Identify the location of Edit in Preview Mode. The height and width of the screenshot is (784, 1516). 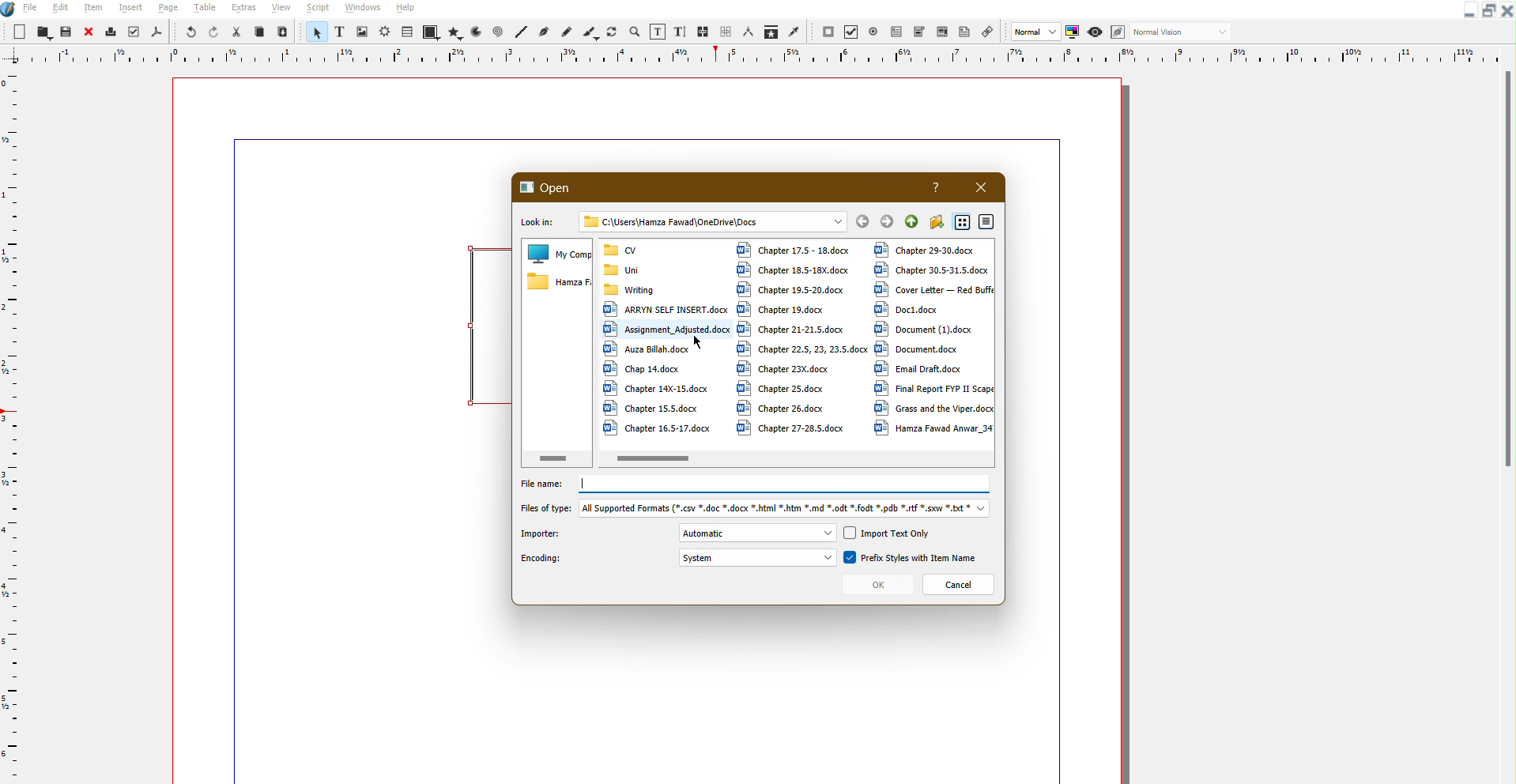
(1118, 32).